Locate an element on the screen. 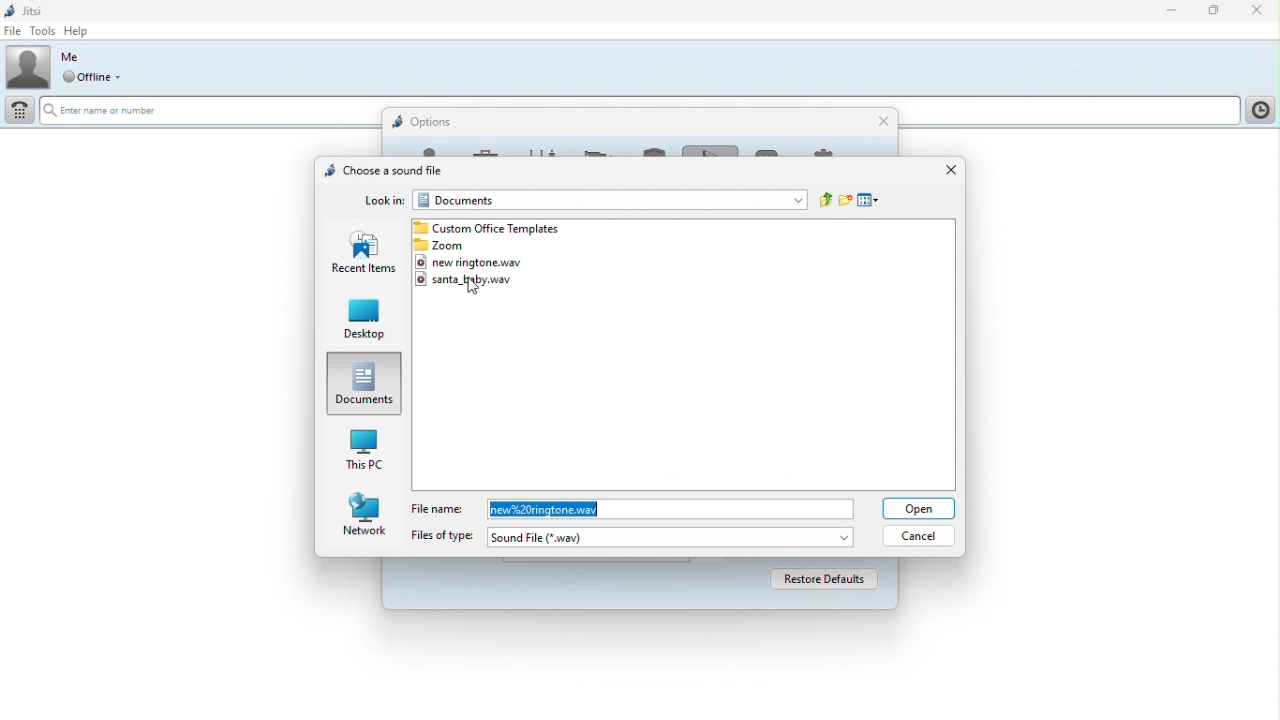  Desktop is located at coordinates (359, 322).